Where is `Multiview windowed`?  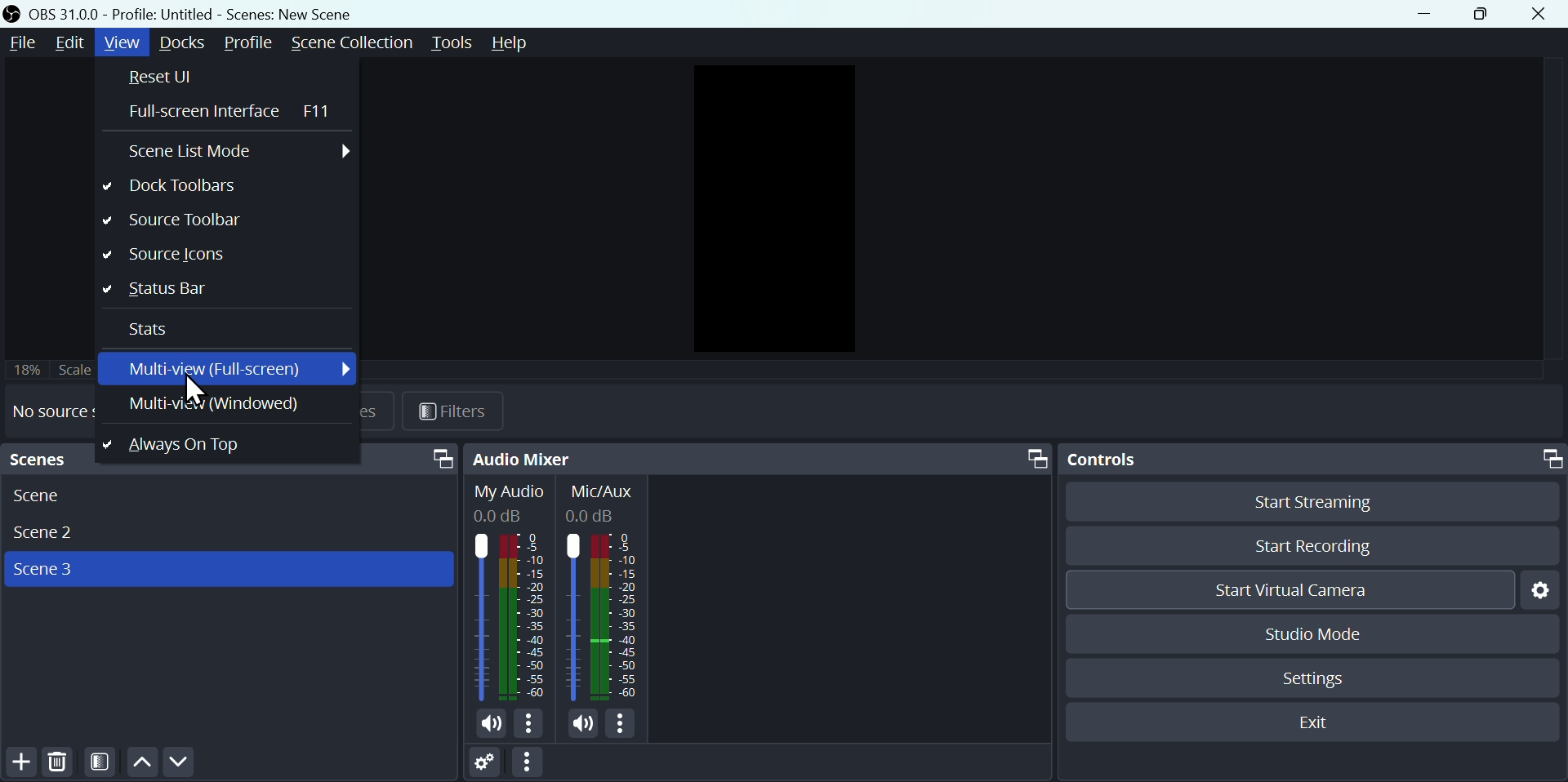 Multiview windowed is located at coordinates (216, 403).